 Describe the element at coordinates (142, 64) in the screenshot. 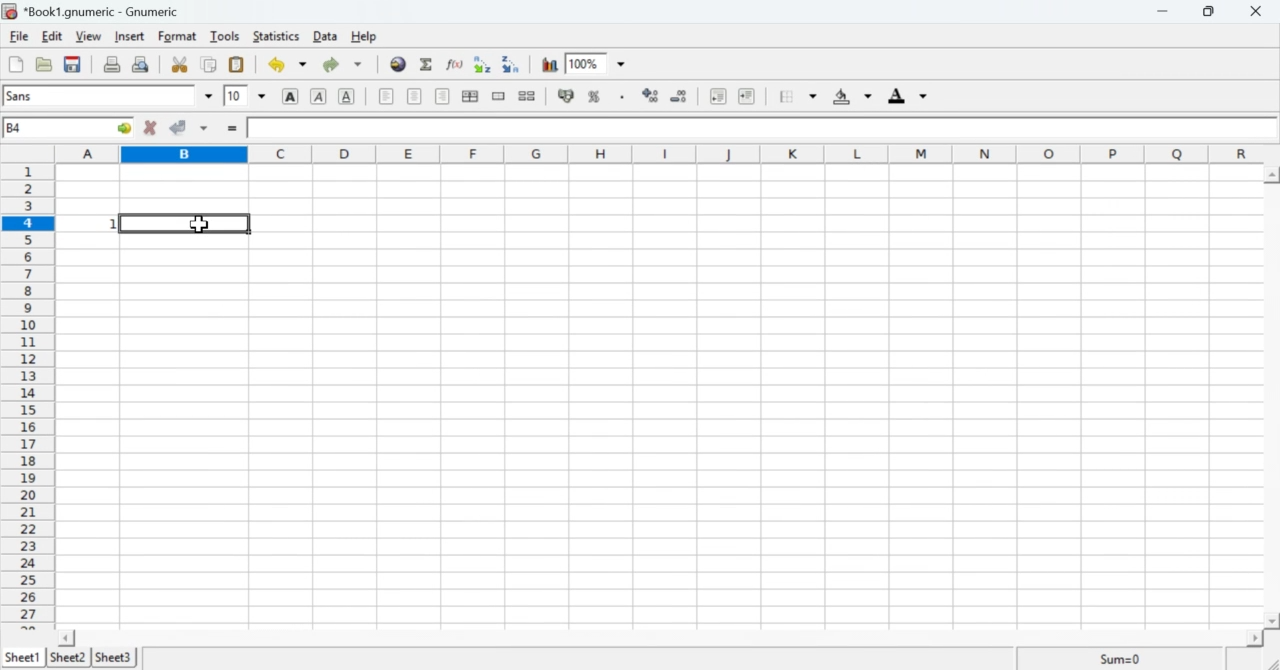

I see `Print preview` at that location.